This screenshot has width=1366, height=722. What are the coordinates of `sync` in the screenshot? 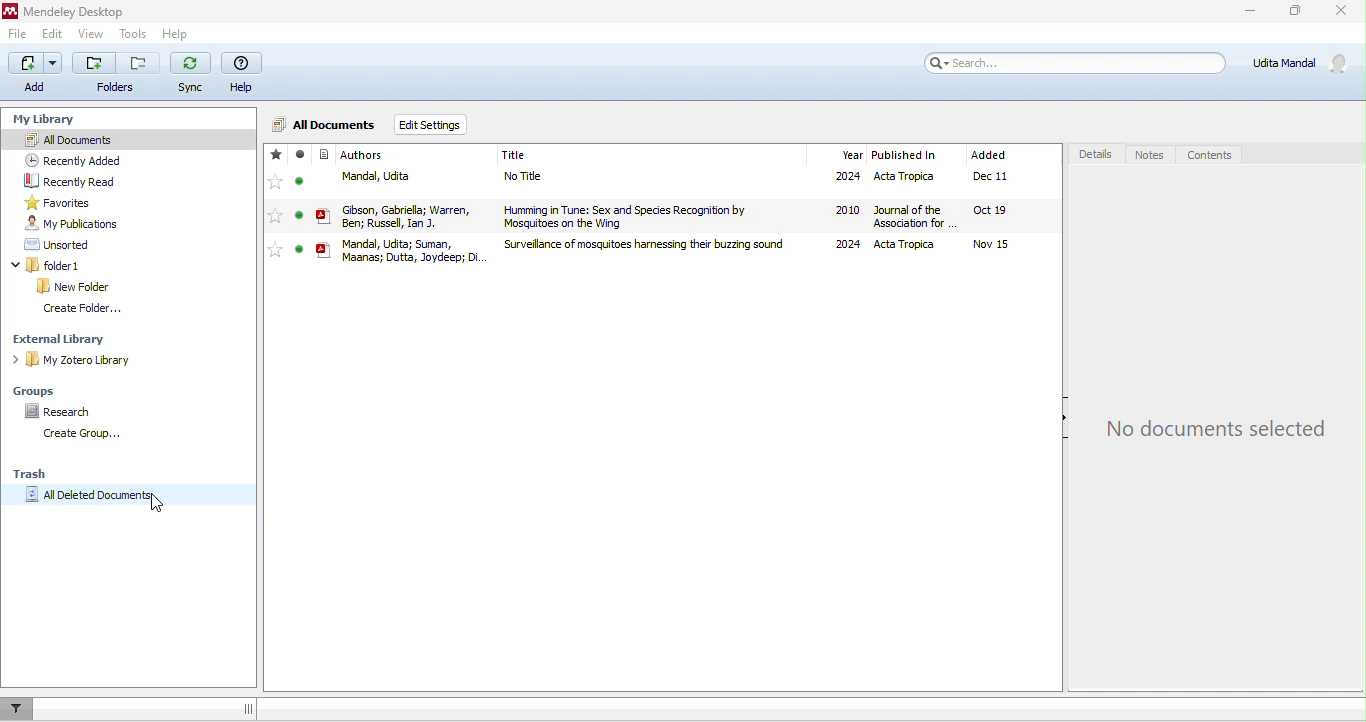 It's located at (192, 72).